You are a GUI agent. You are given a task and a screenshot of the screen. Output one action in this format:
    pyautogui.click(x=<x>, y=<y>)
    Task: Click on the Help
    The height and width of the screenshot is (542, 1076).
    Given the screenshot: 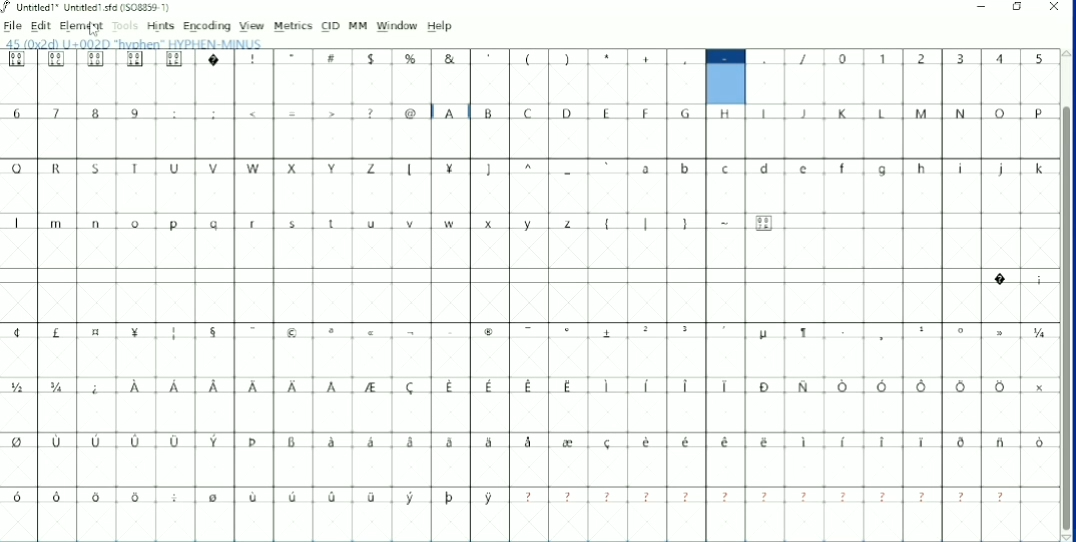 What is the action you would take?
    pyautogui.click(x=441, y=26)
    